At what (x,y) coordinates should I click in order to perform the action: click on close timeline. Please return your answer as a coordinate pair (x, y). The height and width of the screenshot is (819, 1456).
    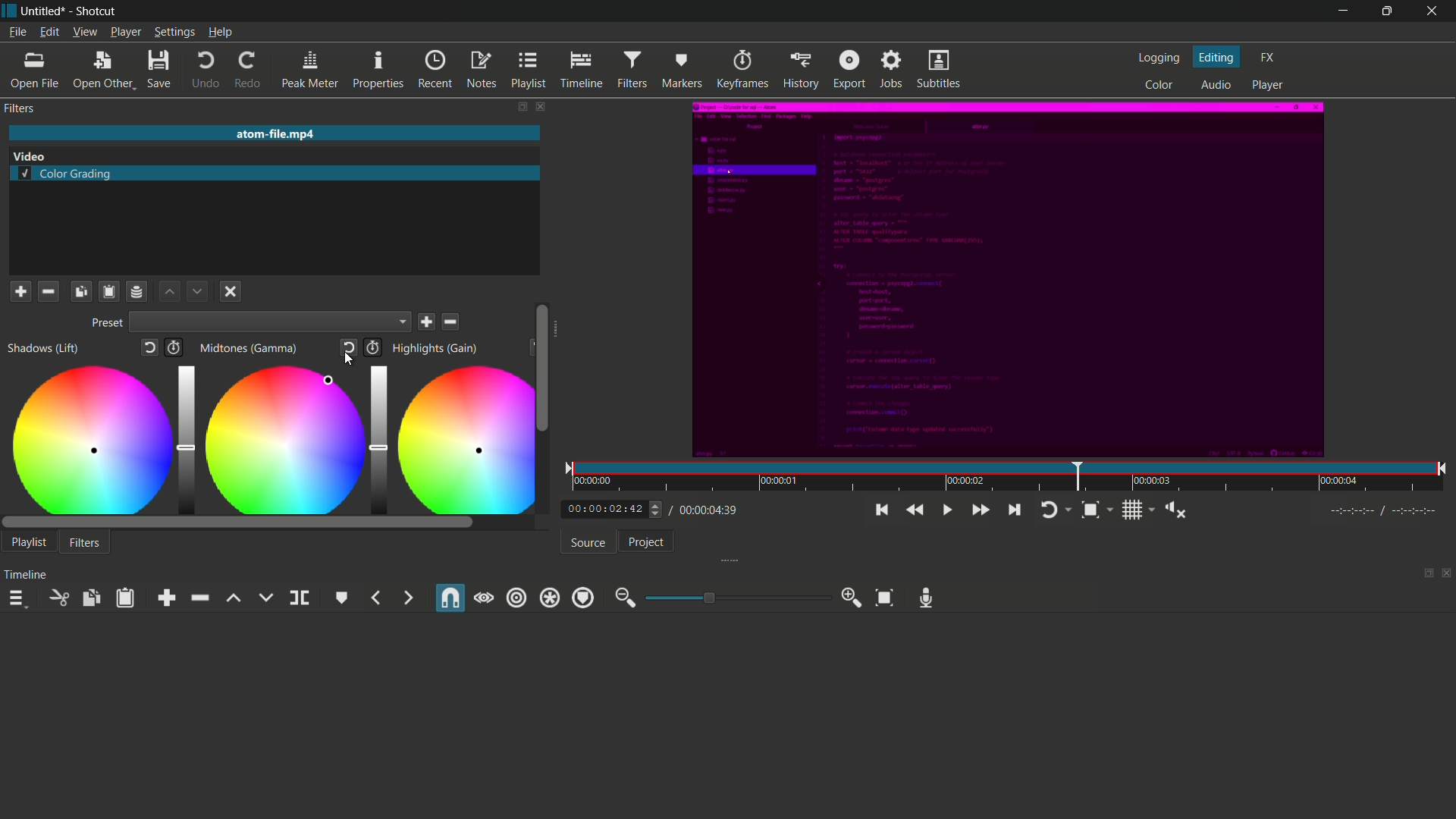
    Looking at the image, I should click on (1447, 574).